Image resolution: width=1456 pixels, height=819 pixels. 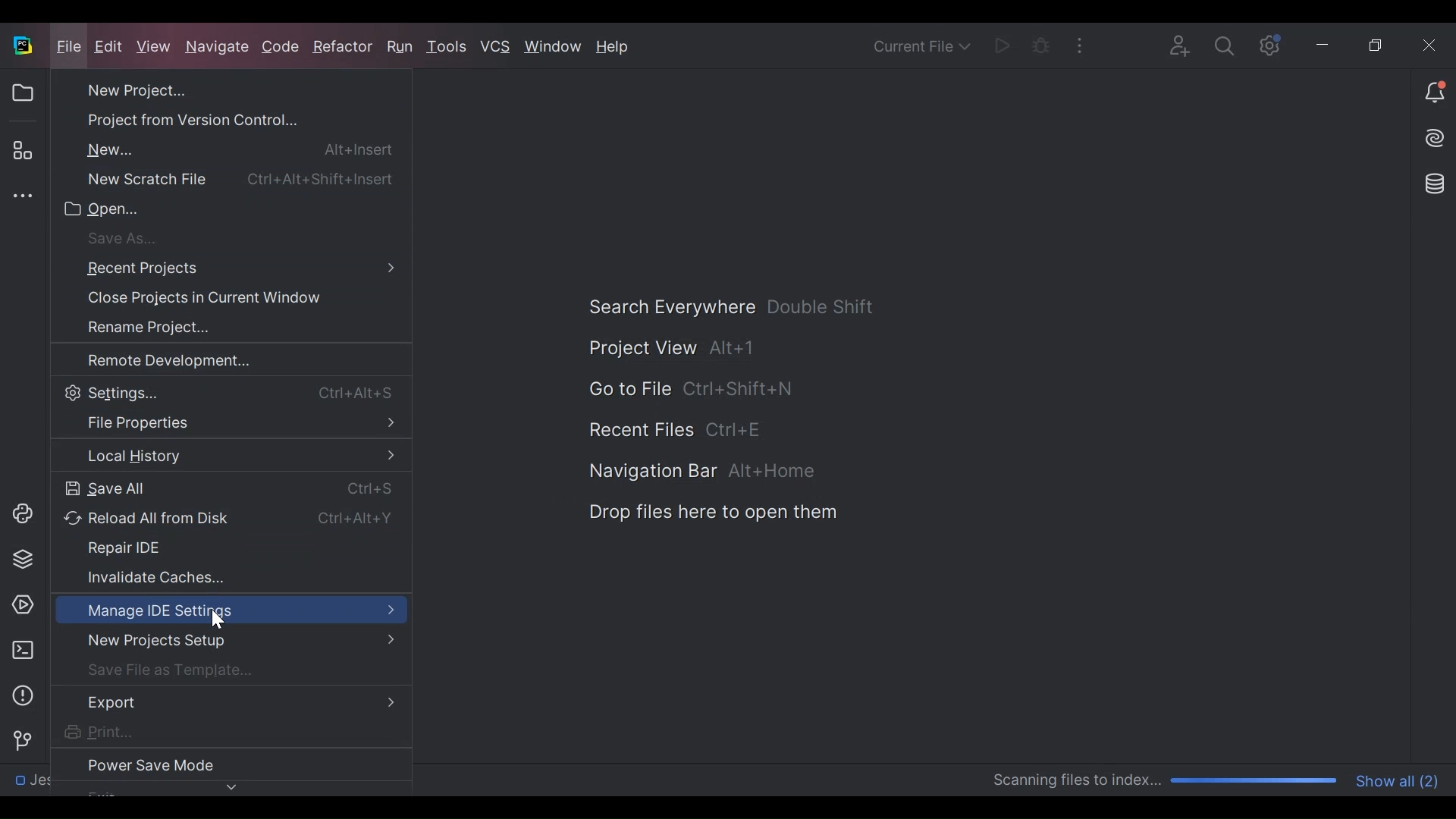 What do you see at coordinates (218, 624) in the screenshot?
I see `Cursor` at bounding box center [218, 624].